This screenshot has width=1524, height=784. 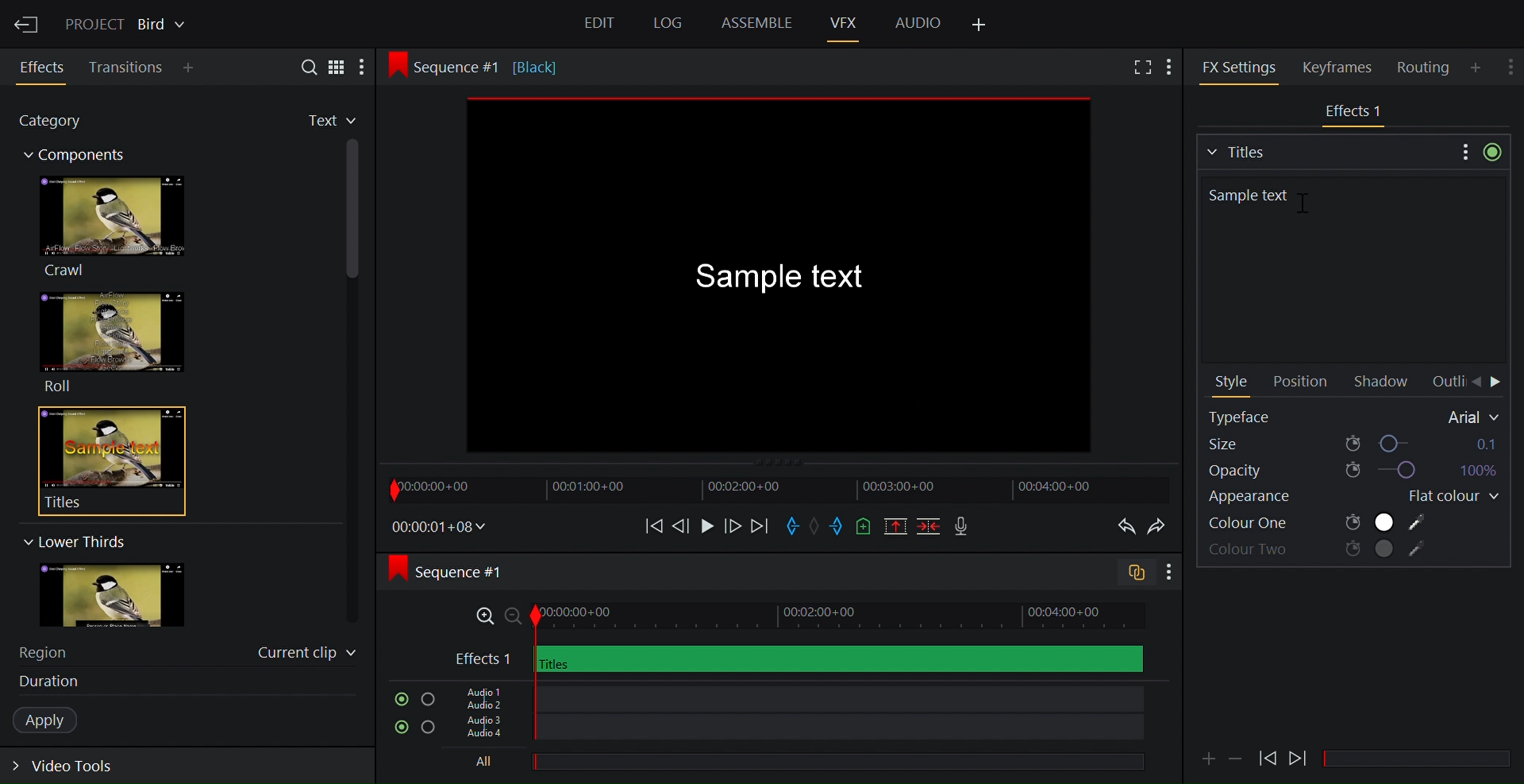 I want to click on Move Back, so click(x=1476, y=382).